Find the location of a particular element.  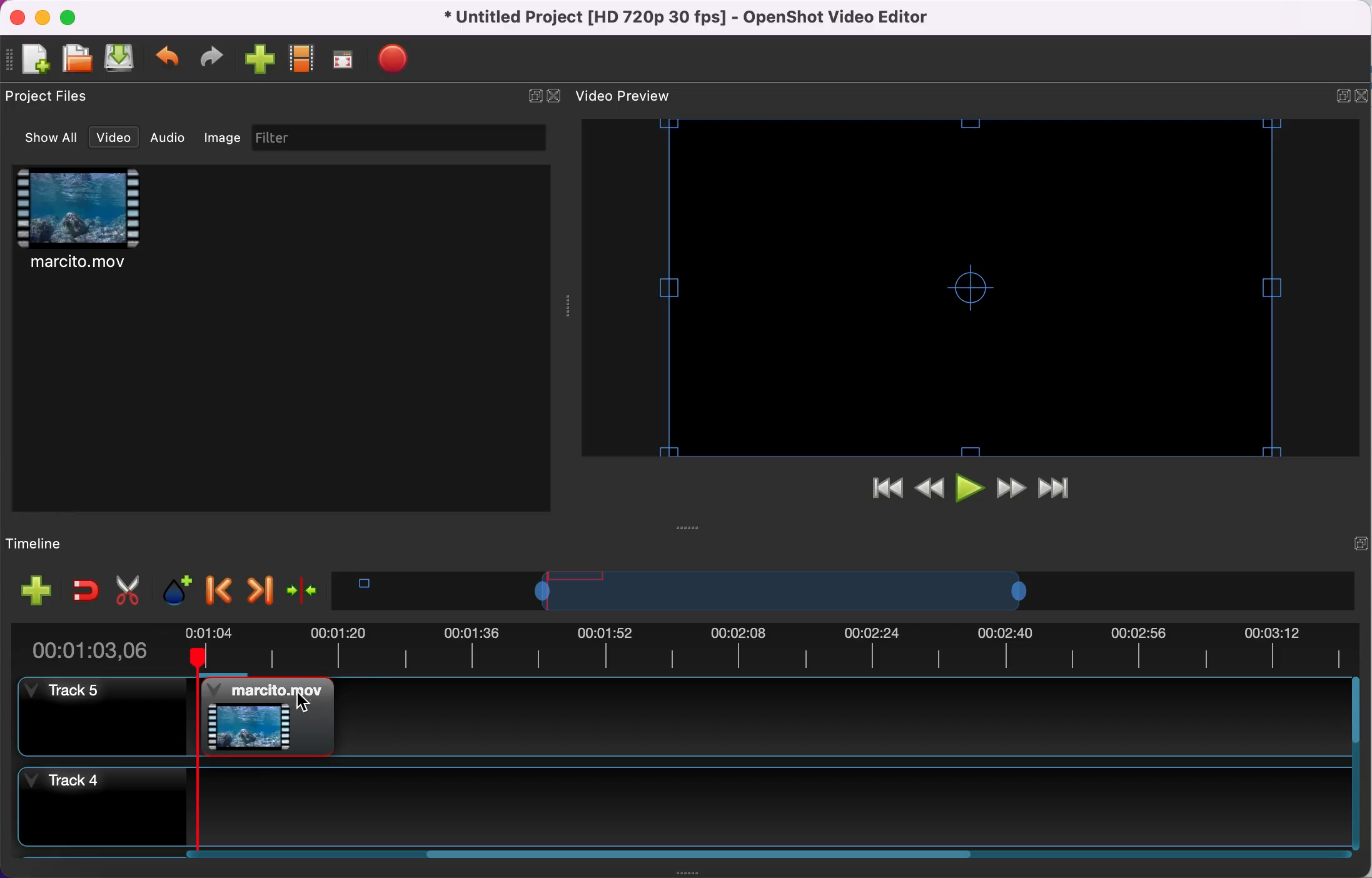

cut is located at coordinates (123, 591).